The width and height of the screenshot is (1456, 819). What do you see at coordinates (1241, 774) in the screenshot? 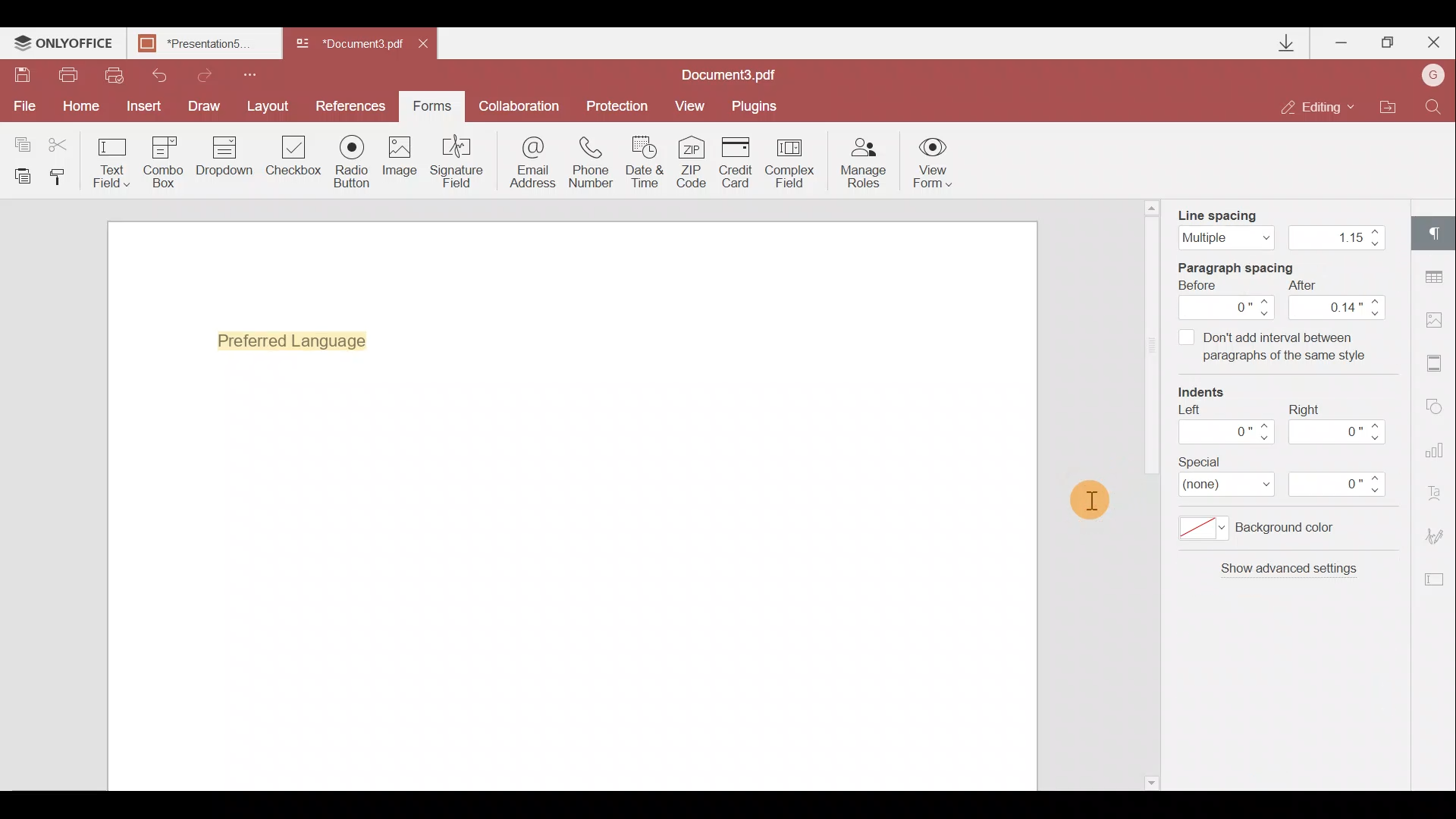
I see `Fixed size field` at bounding box center [1241, 774].